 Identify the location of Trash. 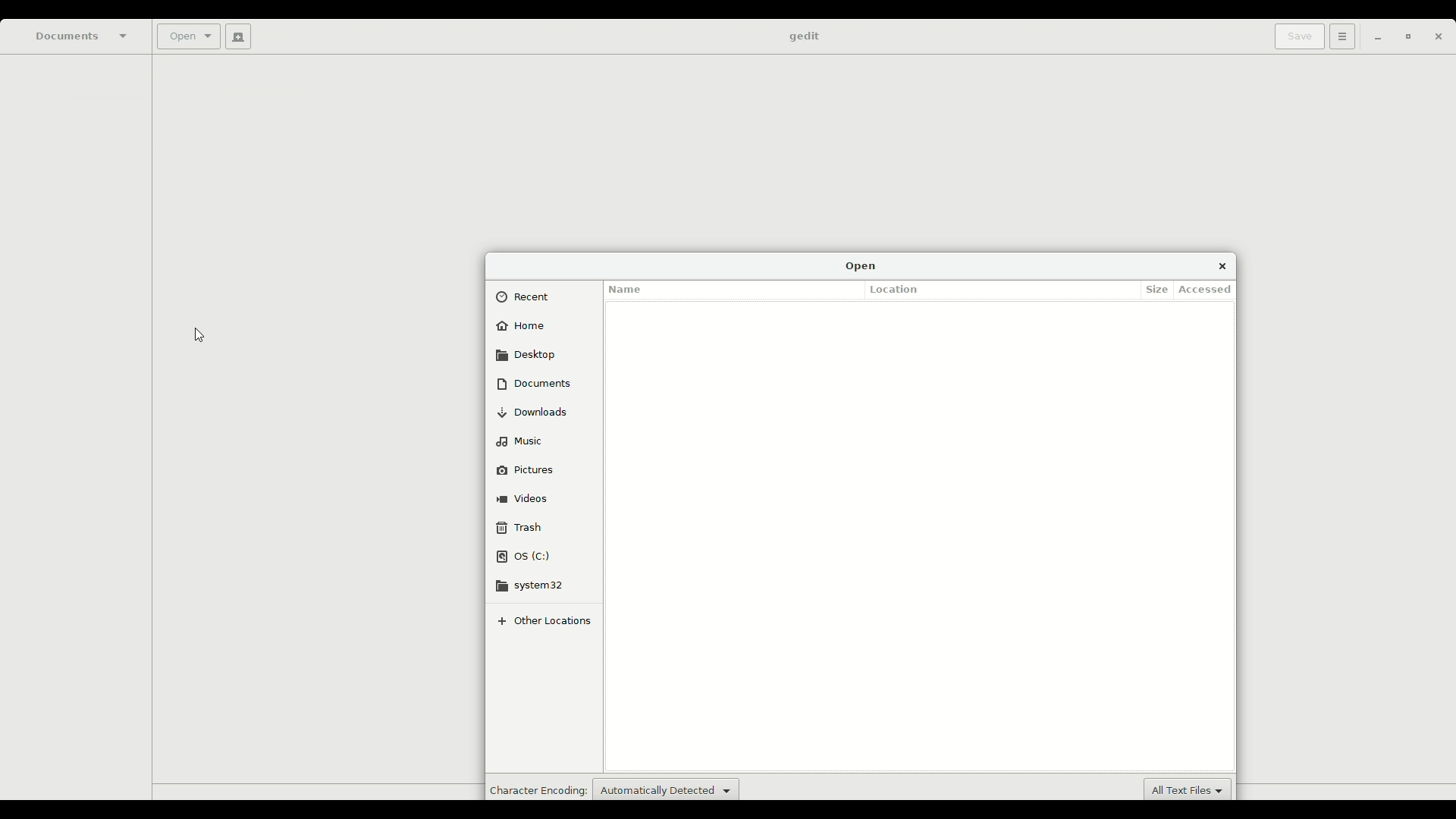
(520, 527).